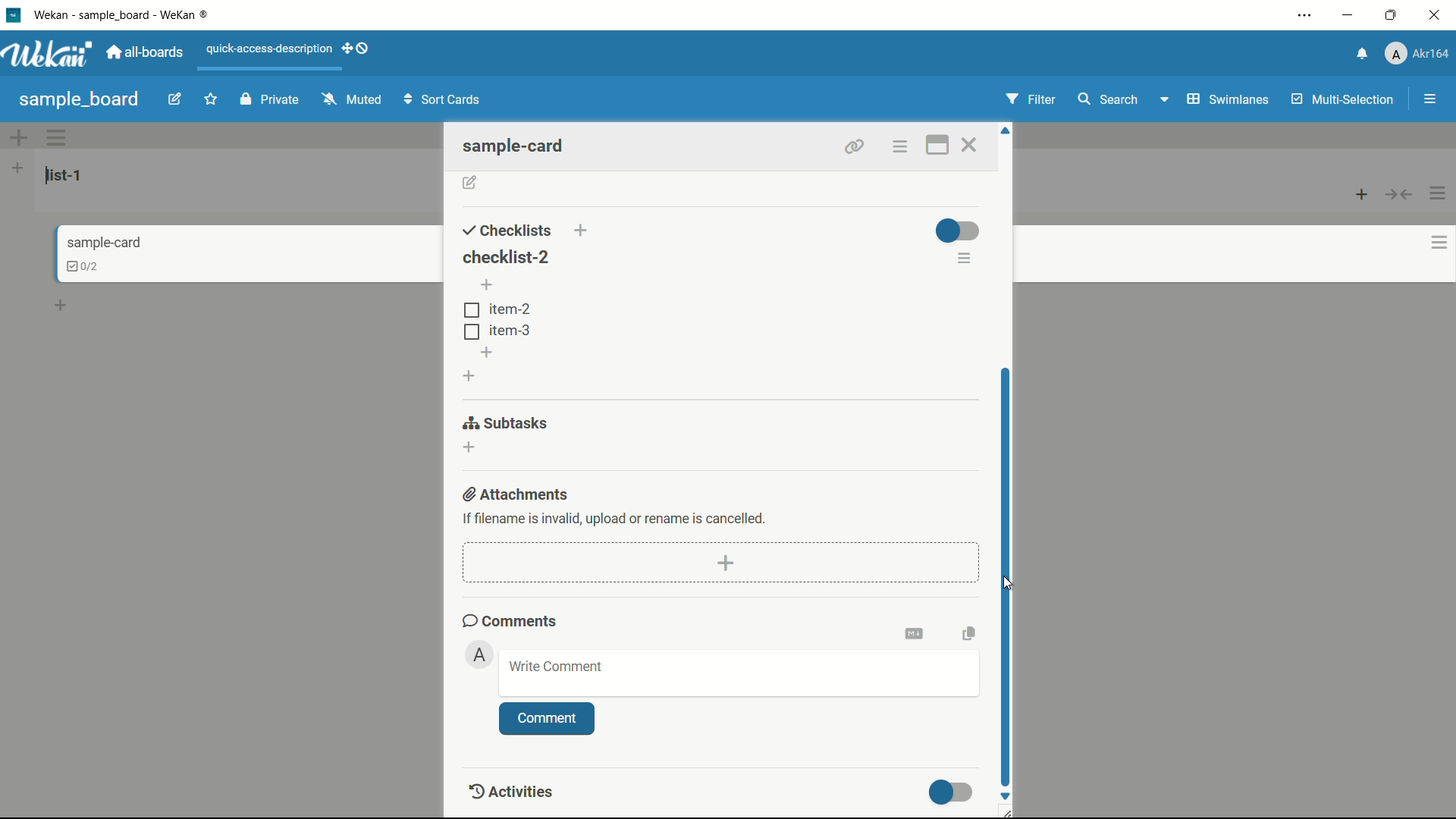 The width and height of the screenshot is (1456, 819). Describe the element at coordinates (1032, 99) in the screenshot. I see `filter` at that location.